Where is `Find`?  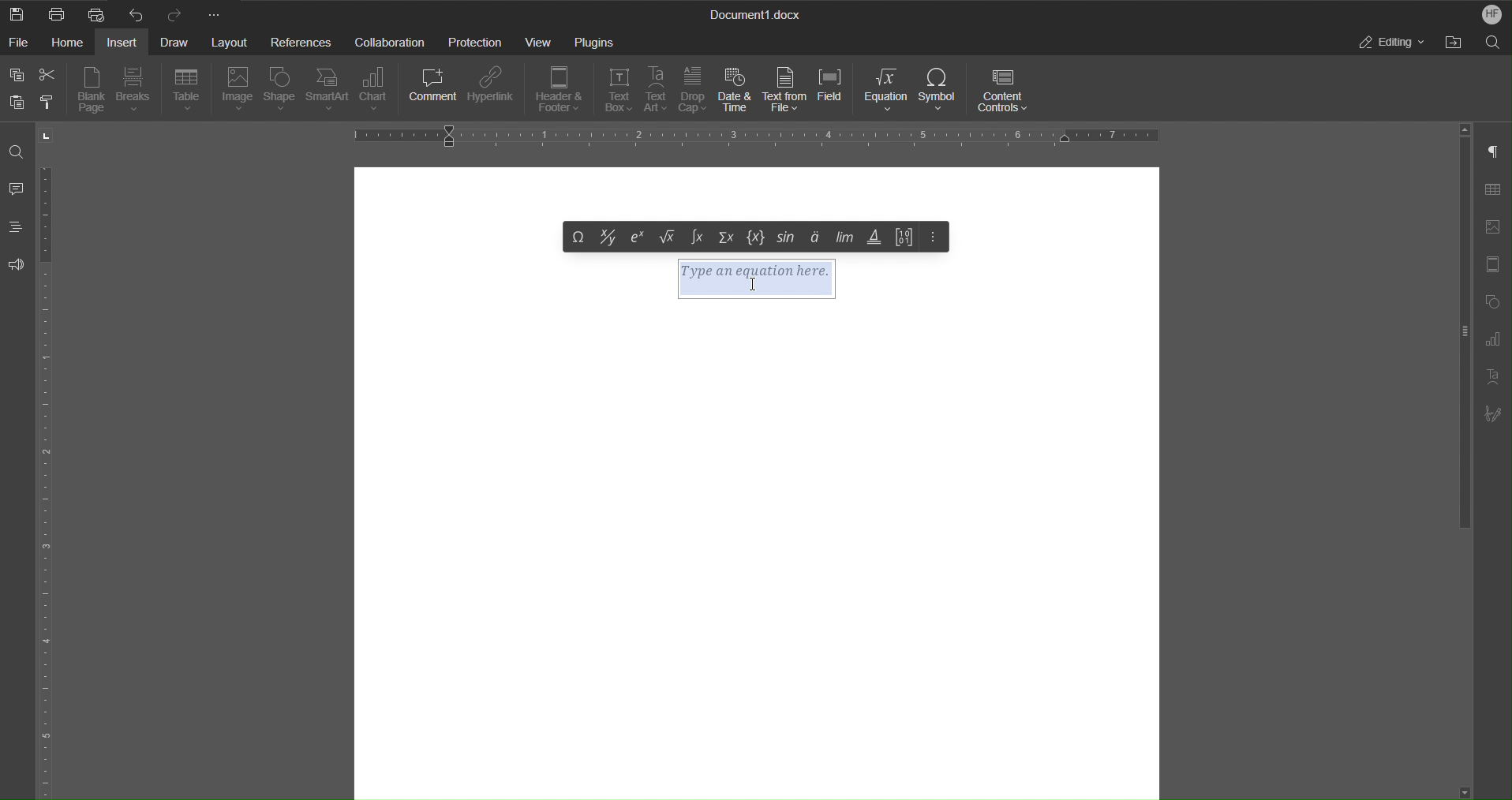 Find is located at coordinates (17, 152).